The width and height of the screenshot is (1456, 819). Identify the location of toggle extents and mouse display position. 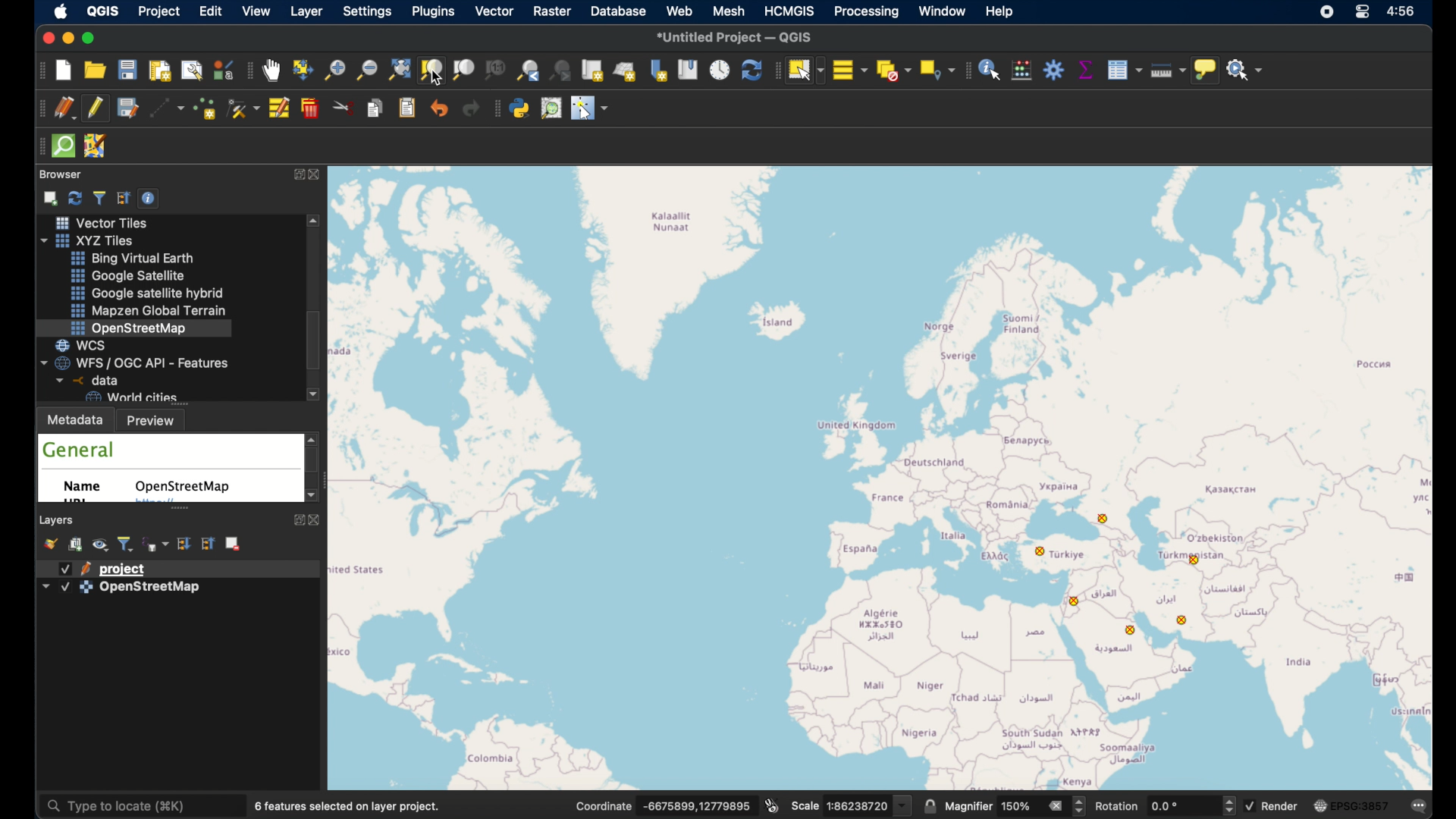
(773, 804).